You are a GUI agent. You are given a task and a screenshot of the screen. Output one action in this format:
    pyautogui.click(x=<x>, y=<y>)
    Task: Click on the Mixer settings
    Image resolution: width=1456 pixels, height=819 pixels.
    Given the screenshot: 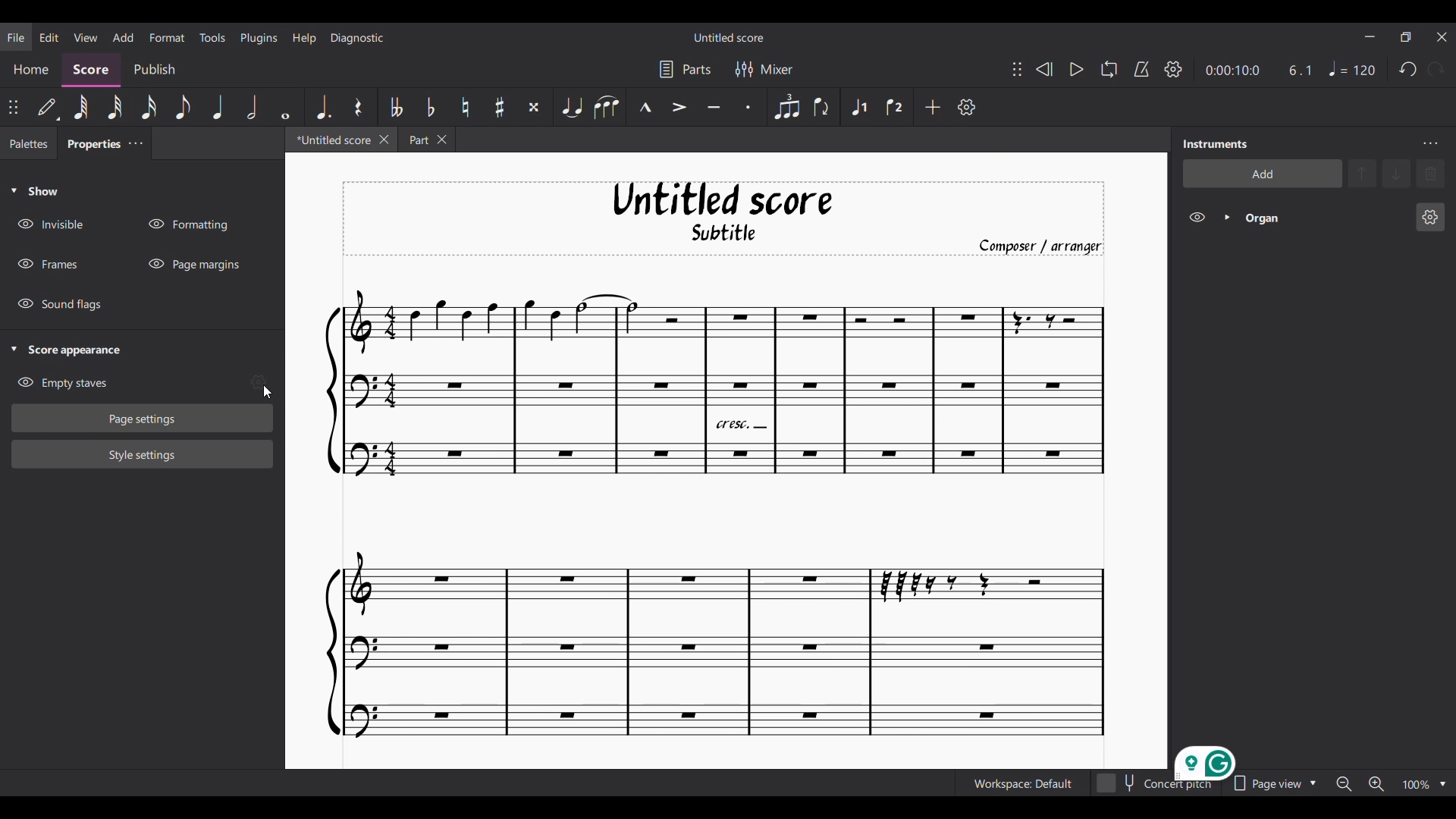 What is the action you would take?
    pyautogui.click(x=763, y=69)
    